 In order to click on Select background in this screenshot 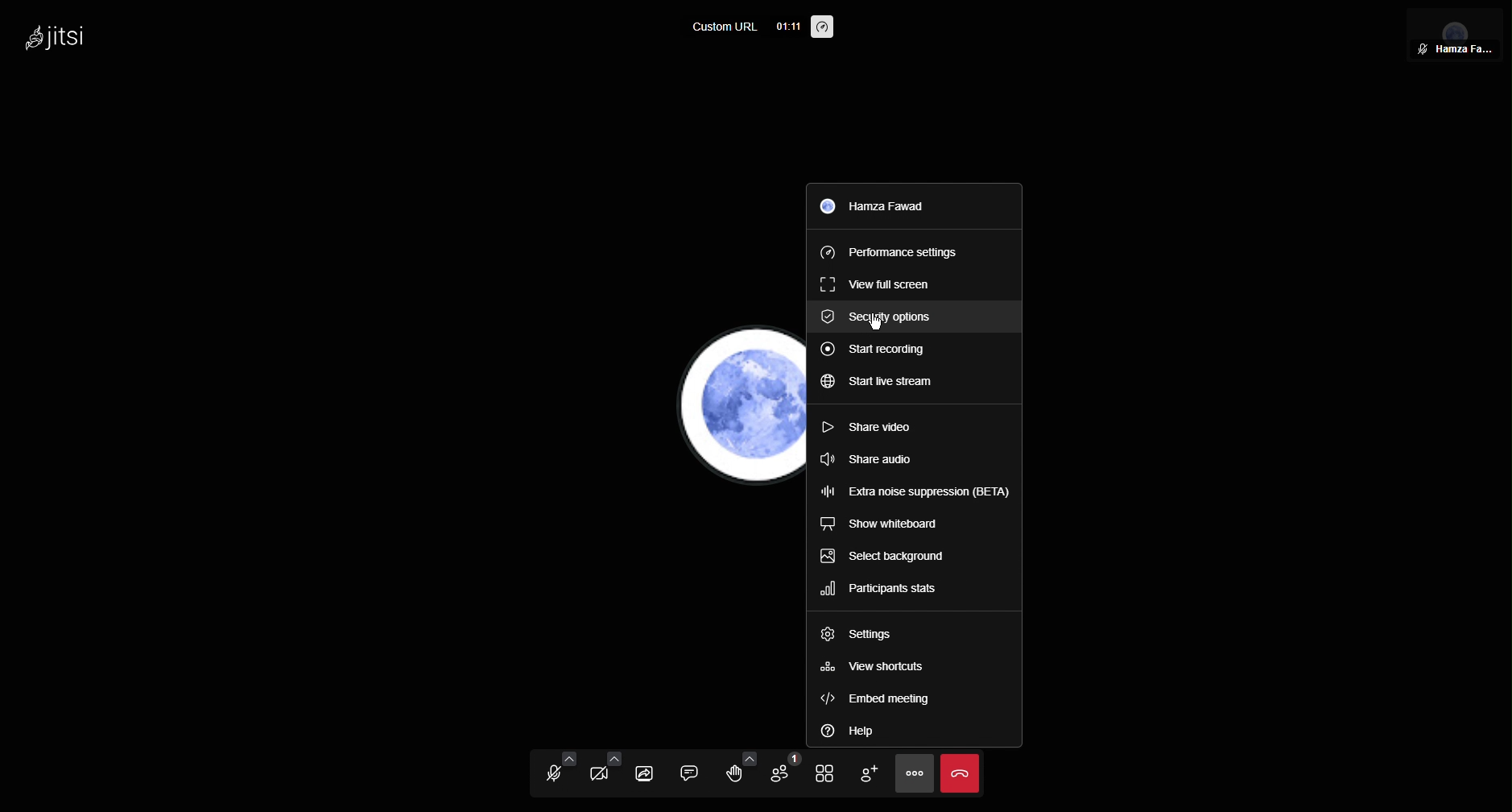, I will do `click(890, 557)`.